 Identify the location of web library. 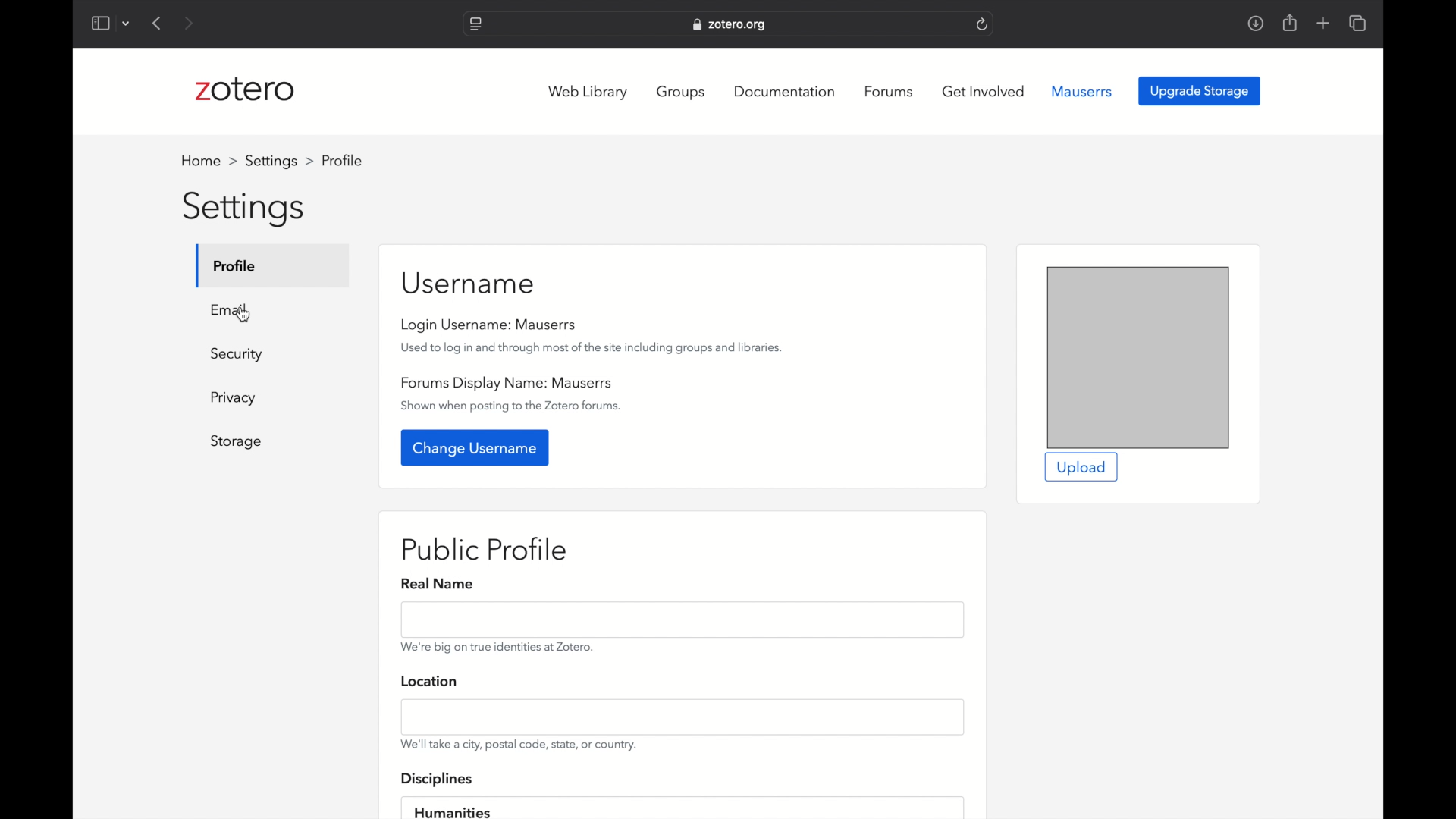
(590, 93).